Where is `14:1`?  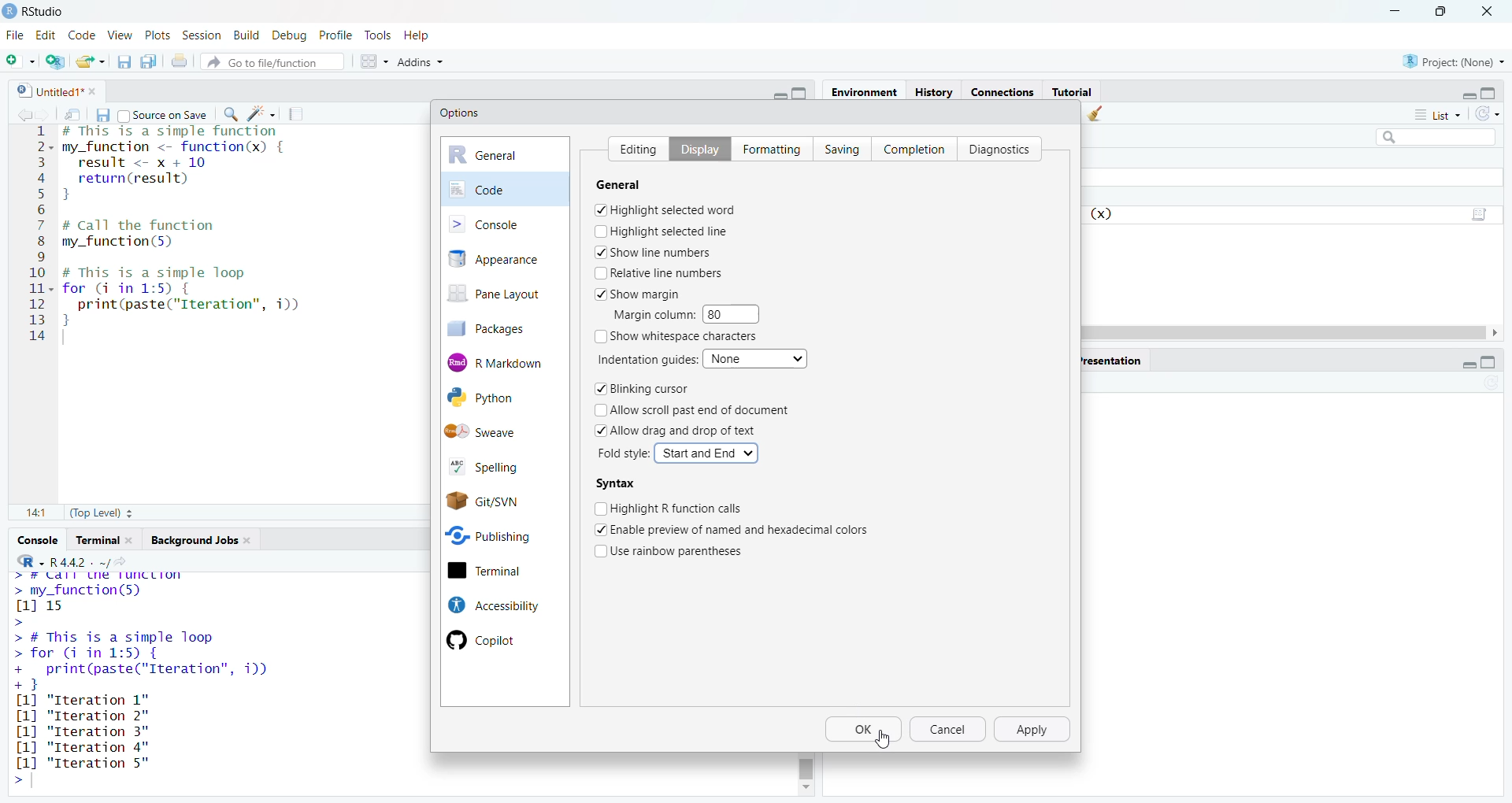 14:1 is located at coordinates (35, 514).